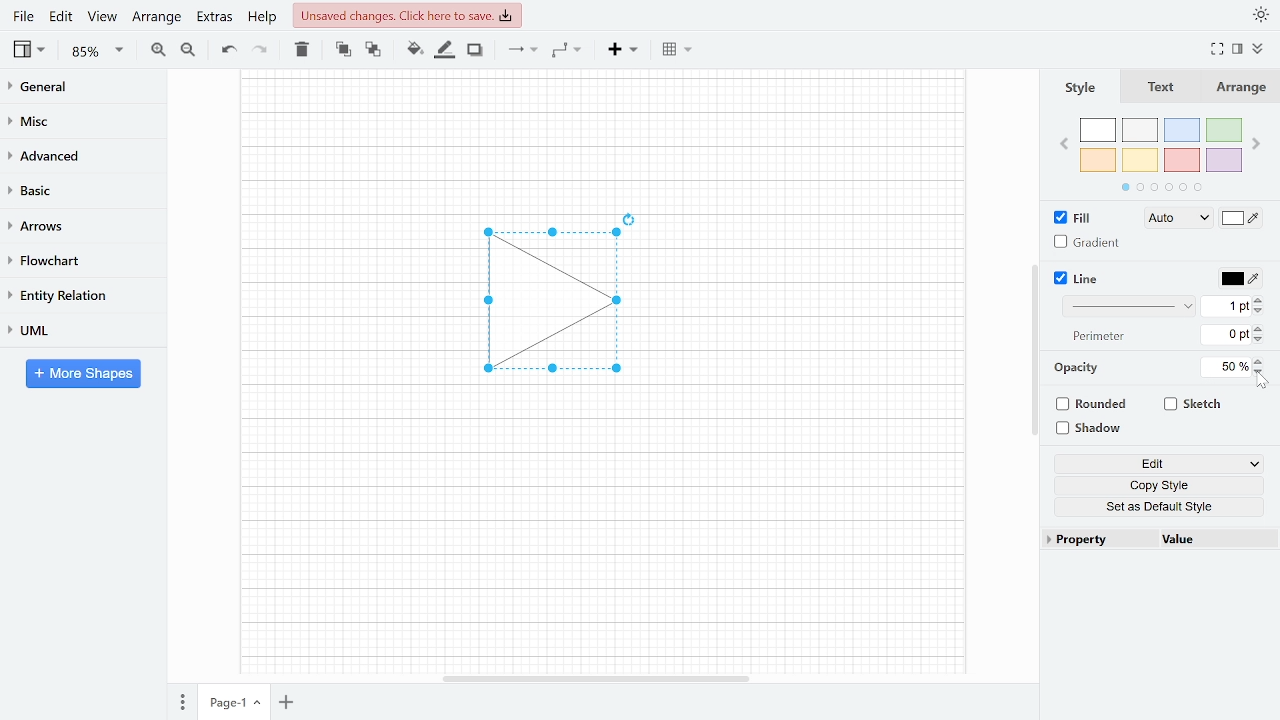 This screenshot has height=720, width=1280. What do you see at coordinates (414, 49) in the screenshot?
I see `Fill color` at bounding box center [414, 49].